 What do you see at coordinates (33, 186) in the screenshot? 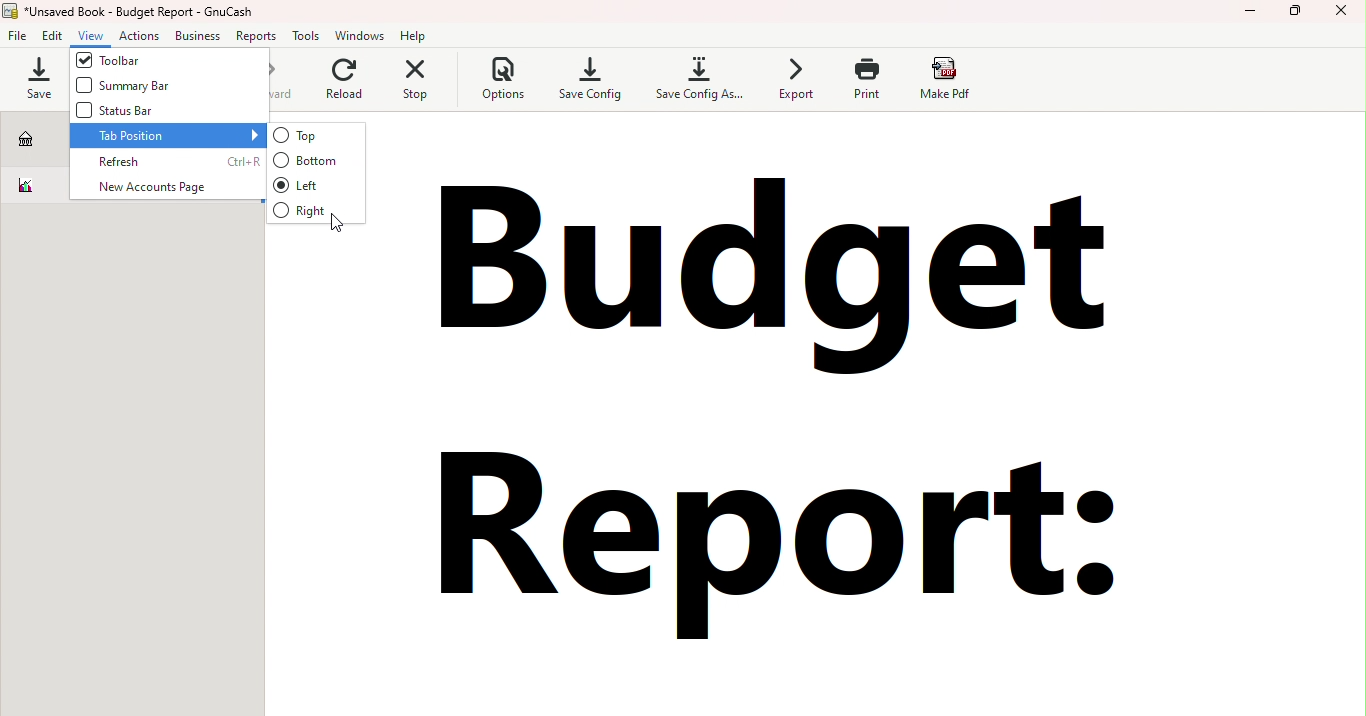
I see `Budget report` at bounding box center [33, 186].